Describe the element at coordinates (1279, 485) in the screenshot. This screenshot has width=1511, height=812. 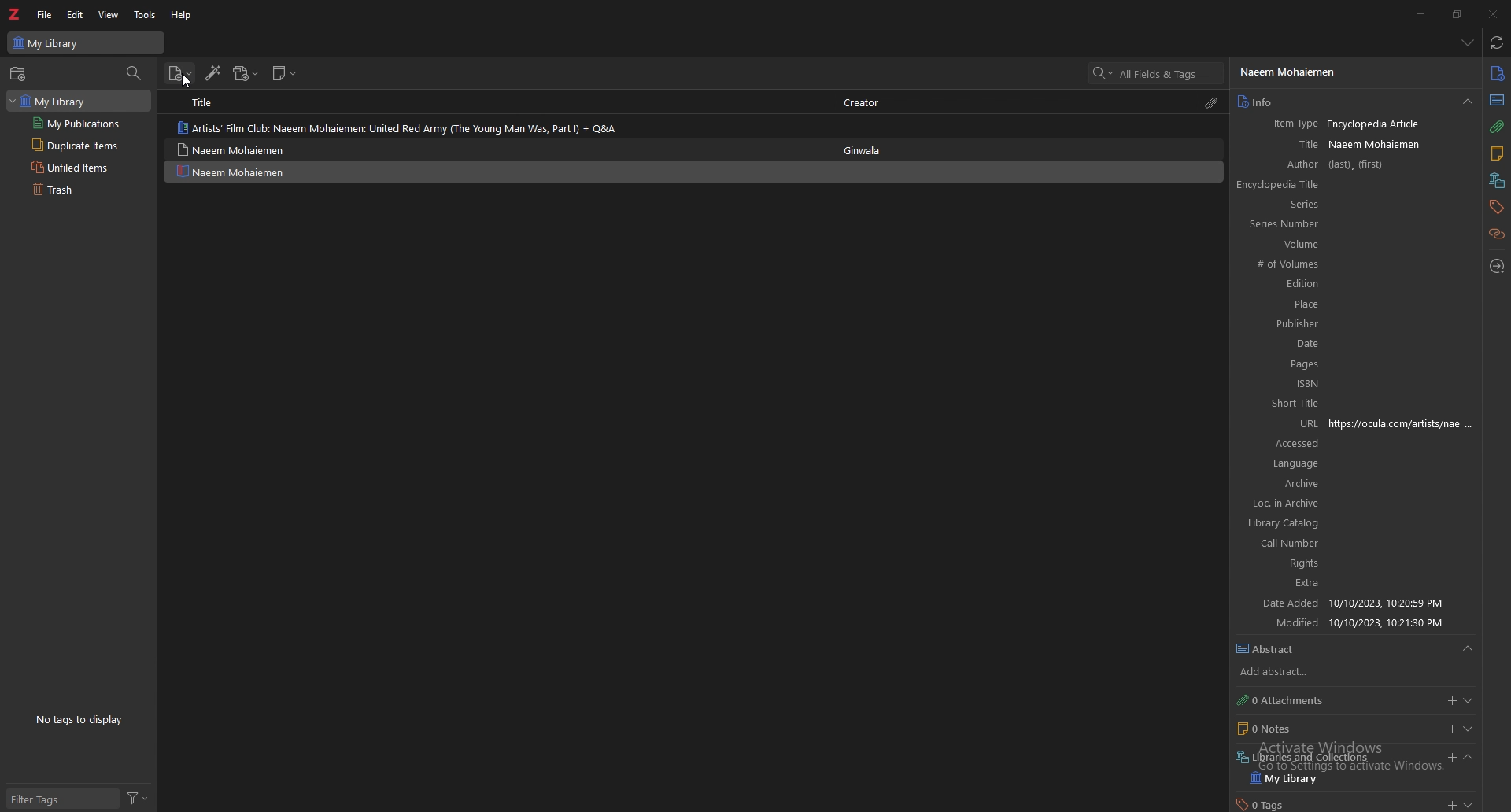
I see `archive` at that location.